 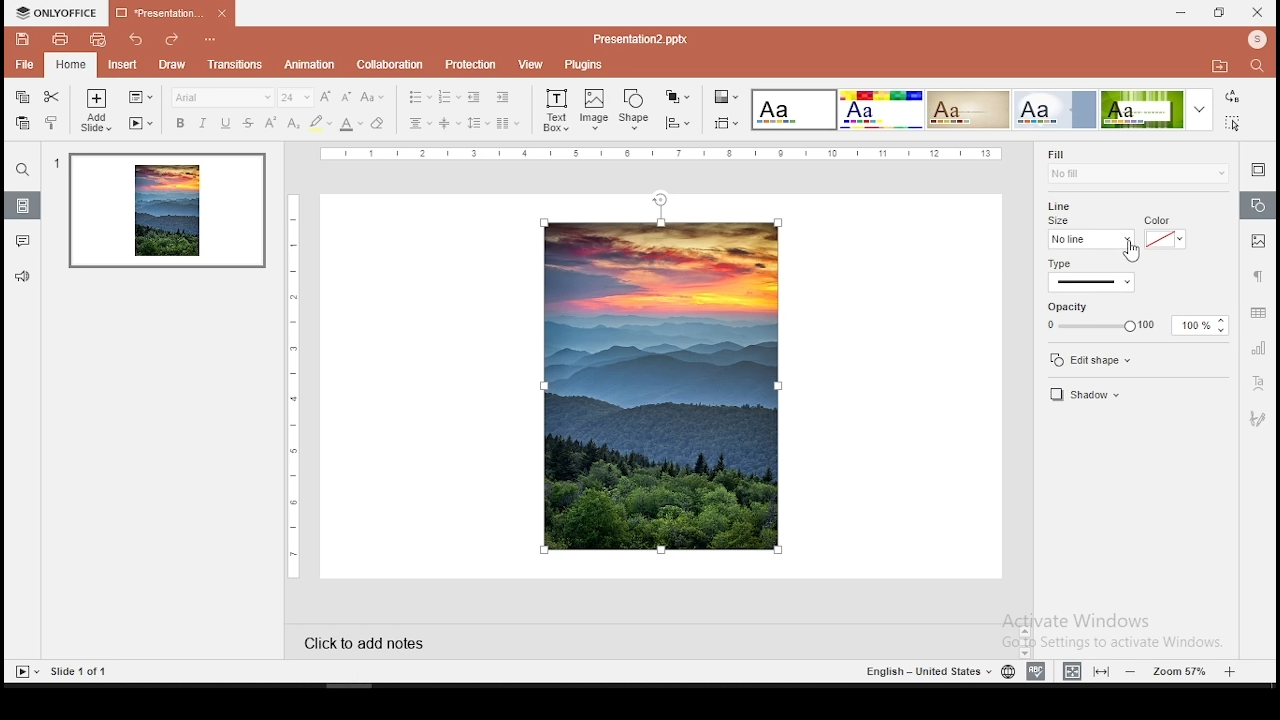 What do you see at coordinates (1124, 274) in the screenshot?
I see `type` at bounding box center [1124, 274].